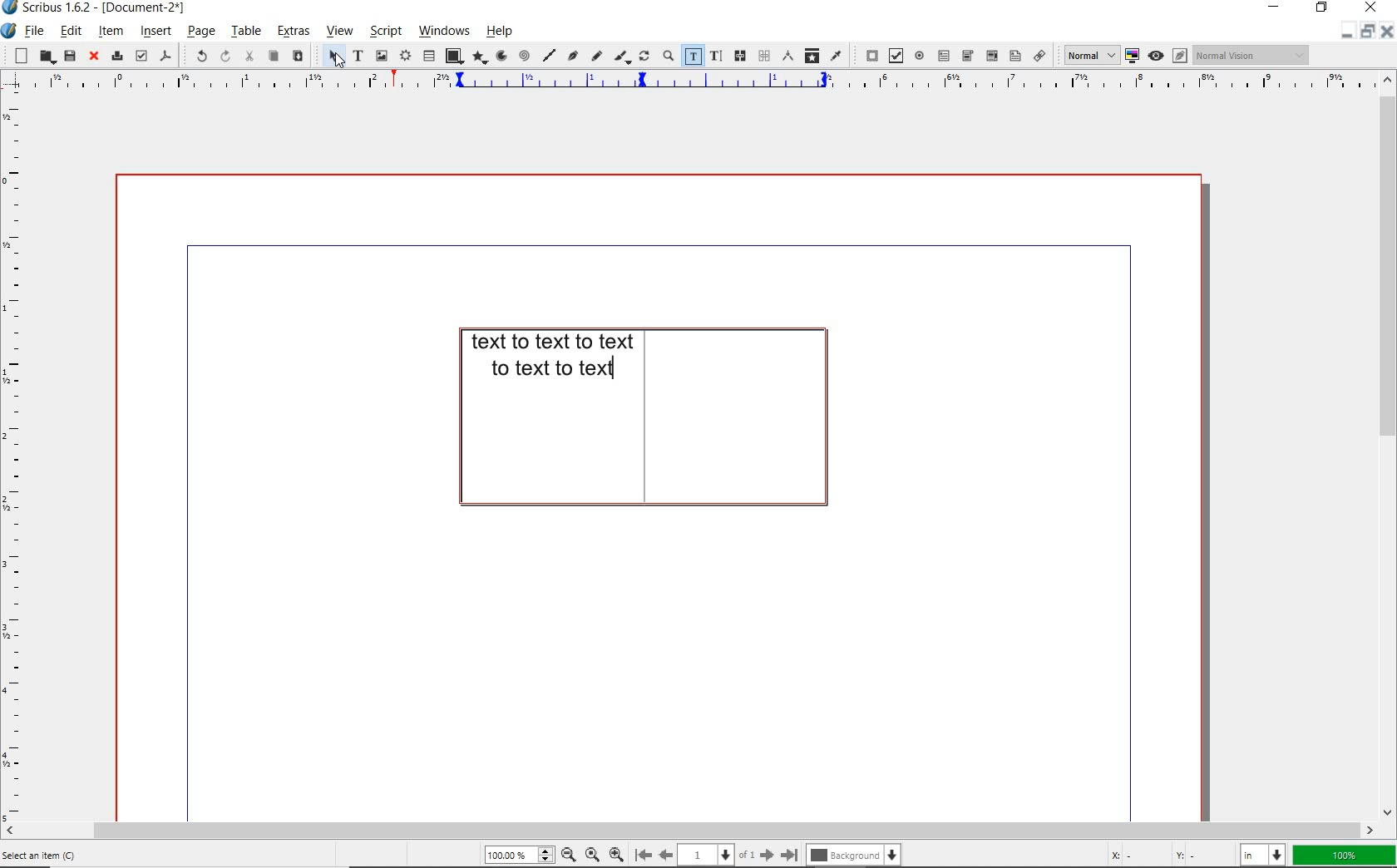 Image resolution: width=1397 pixels, height=868 pixels. Describe the element at coordinates (1250, 56) in the screenshot. I see `Normal Vision` at that location.